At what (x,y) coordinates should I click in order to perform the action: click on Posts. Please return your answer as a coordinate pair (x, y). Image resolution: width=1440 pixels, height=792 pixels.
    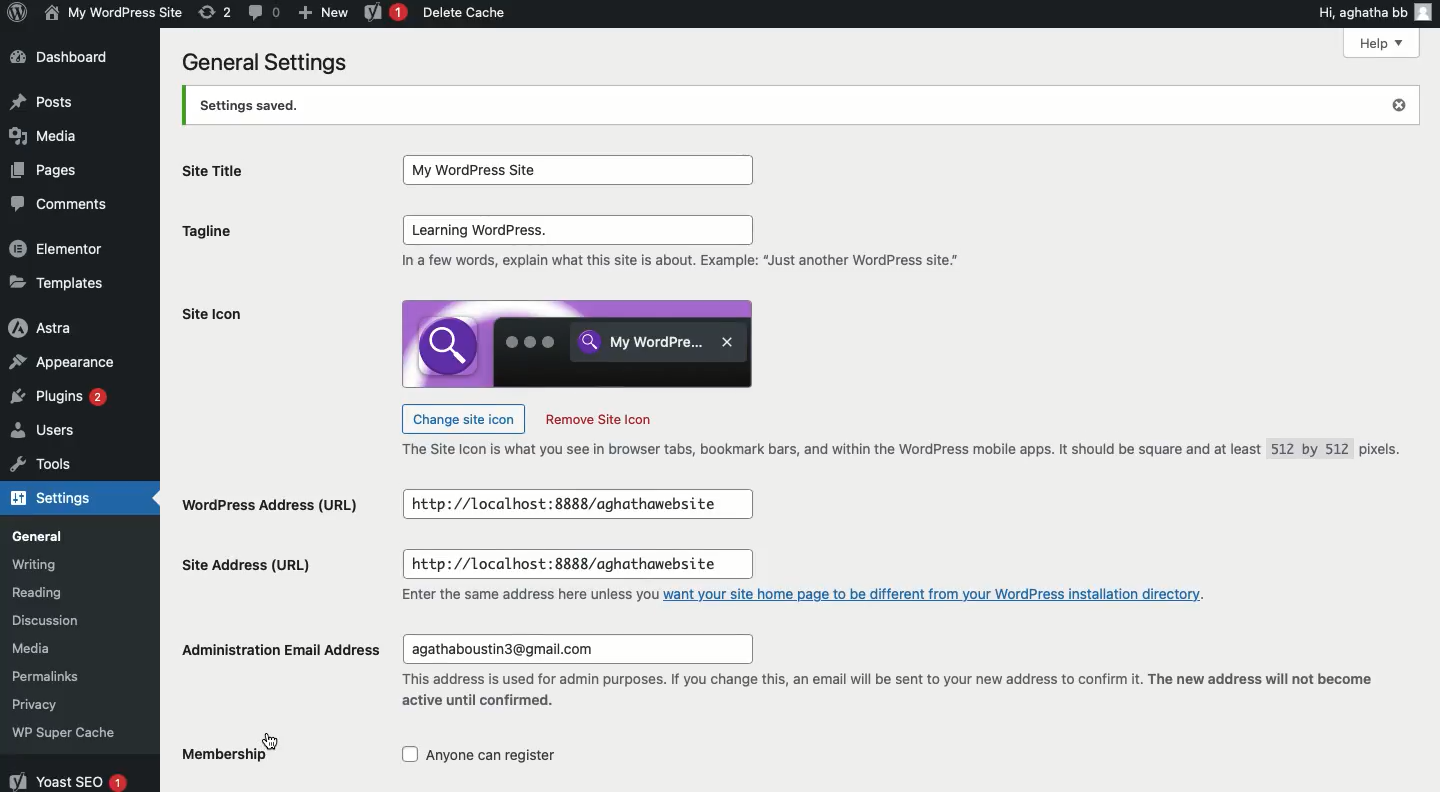
    Looking at the image, I should click on (44, 101).